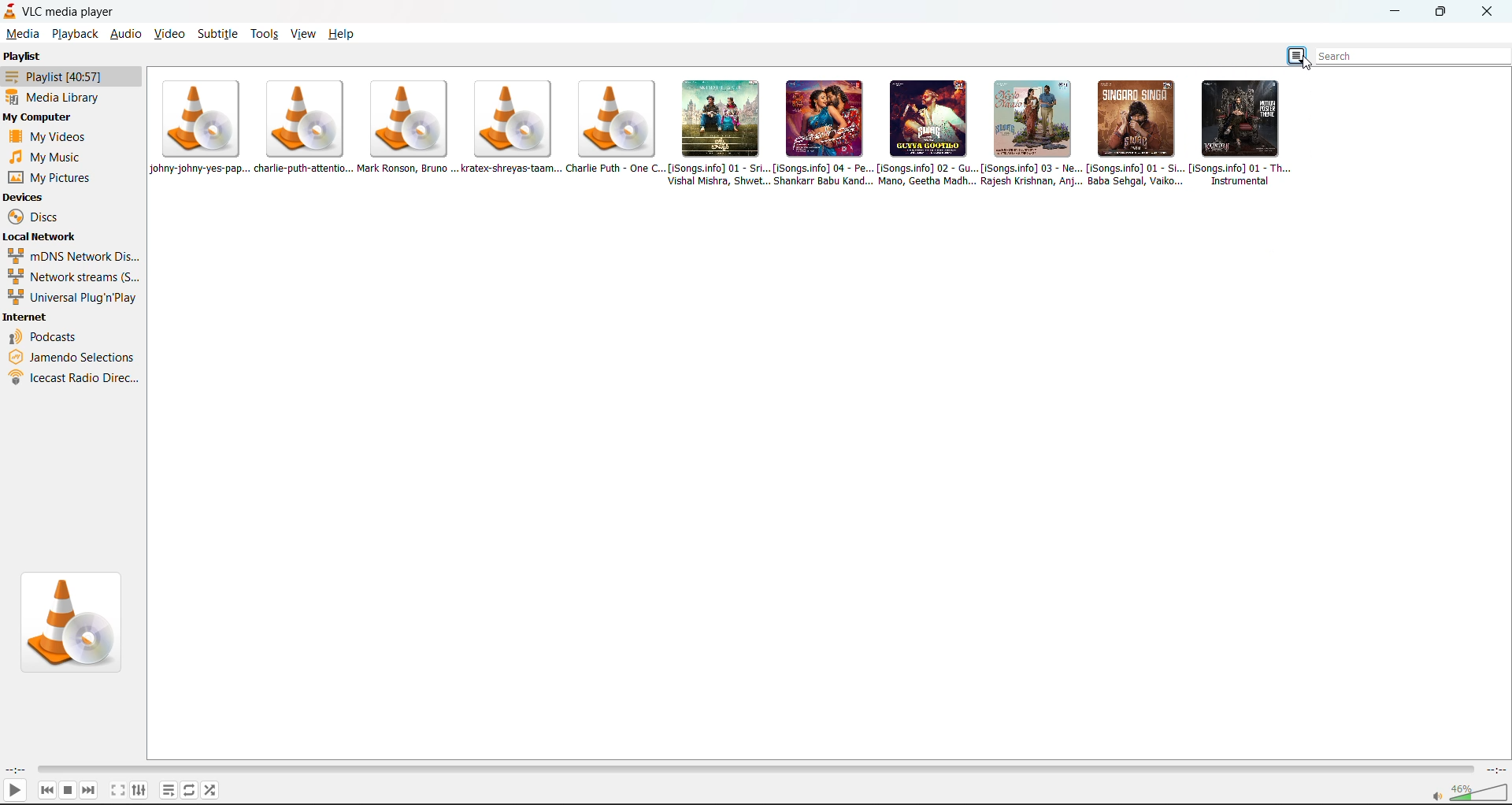 This screenshot has height=805, width=1512. What do you see at coordinates (1299, 55) in the screenshot?
I see `change view` at bounding box center [1299, 55].